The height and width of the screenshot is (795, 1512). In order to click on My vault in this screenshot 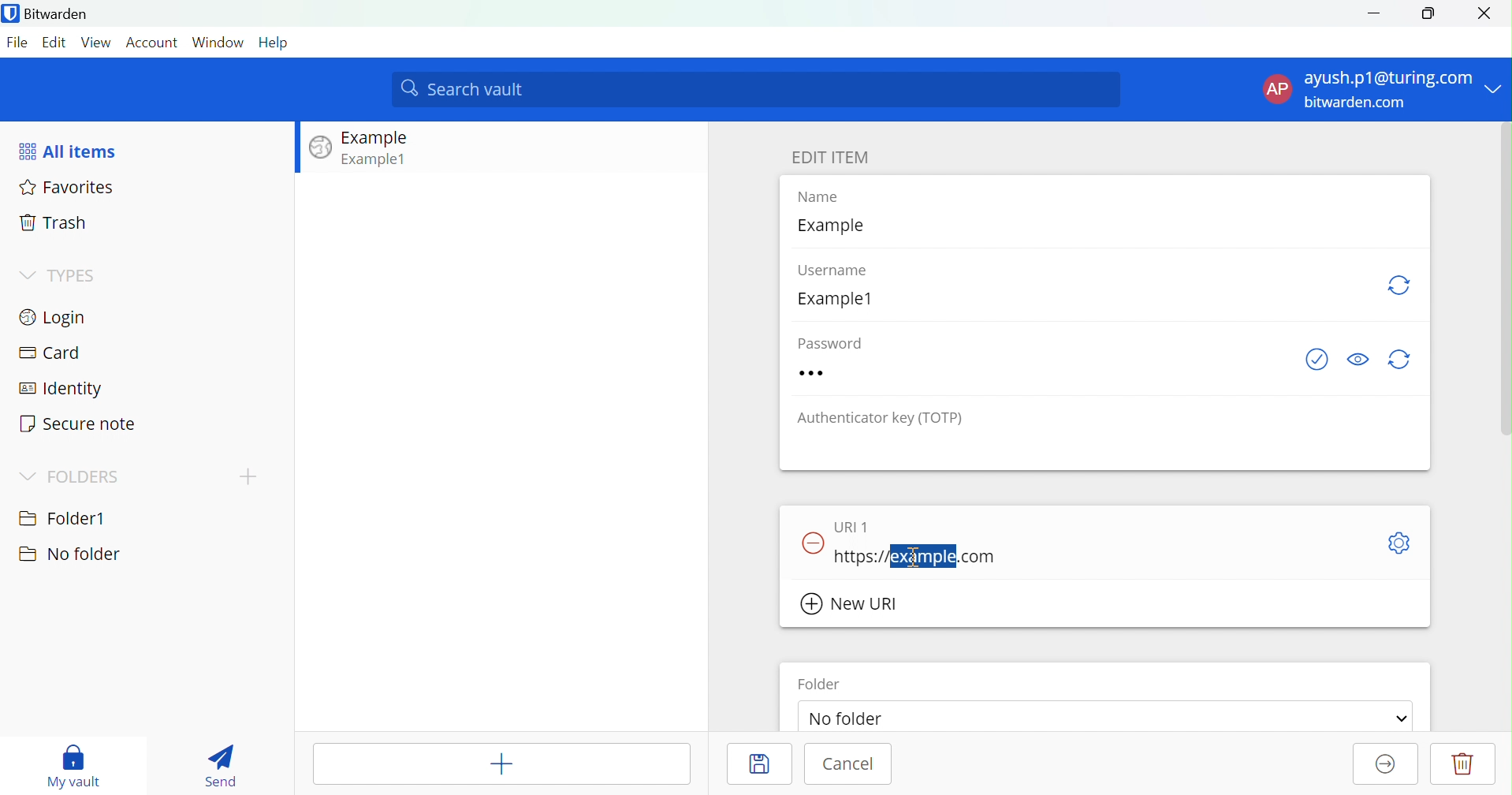, I will do `click(74, 763)`.